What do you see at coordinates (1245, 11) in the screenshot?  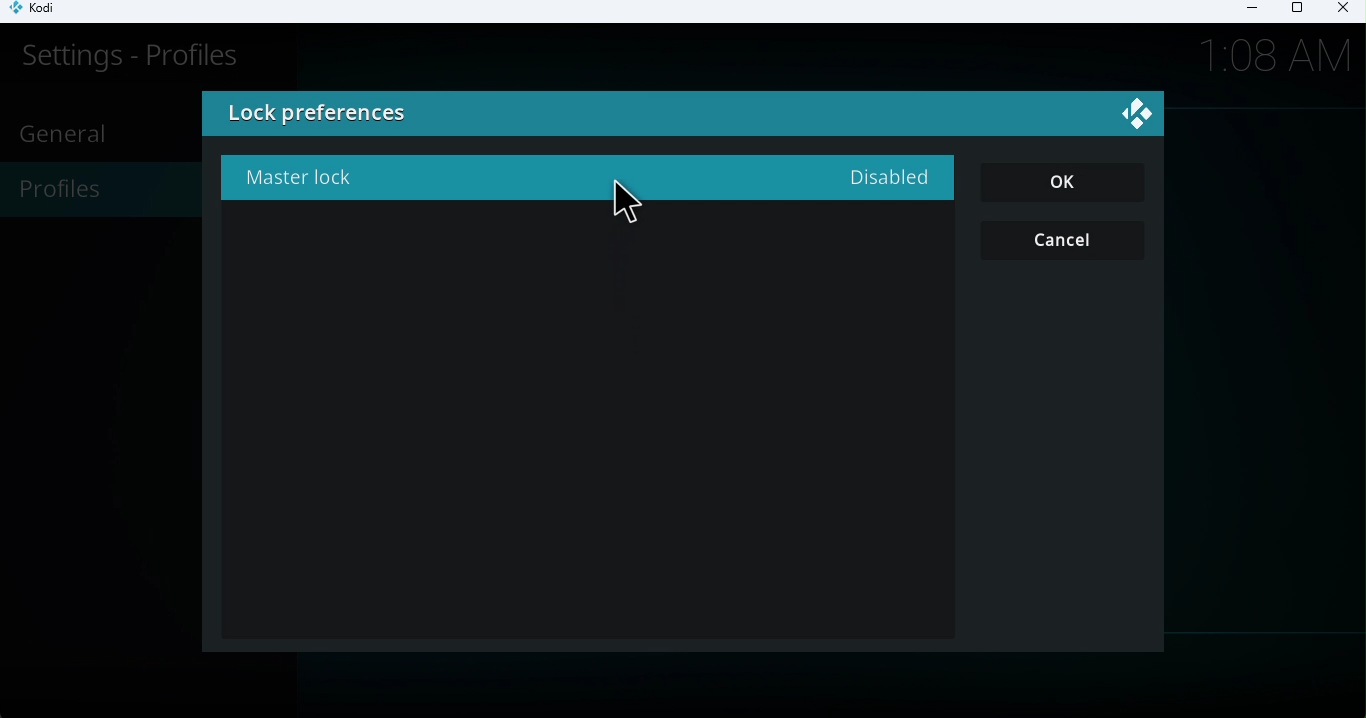 I see `Minimize` at bounding box center [1245, 11].